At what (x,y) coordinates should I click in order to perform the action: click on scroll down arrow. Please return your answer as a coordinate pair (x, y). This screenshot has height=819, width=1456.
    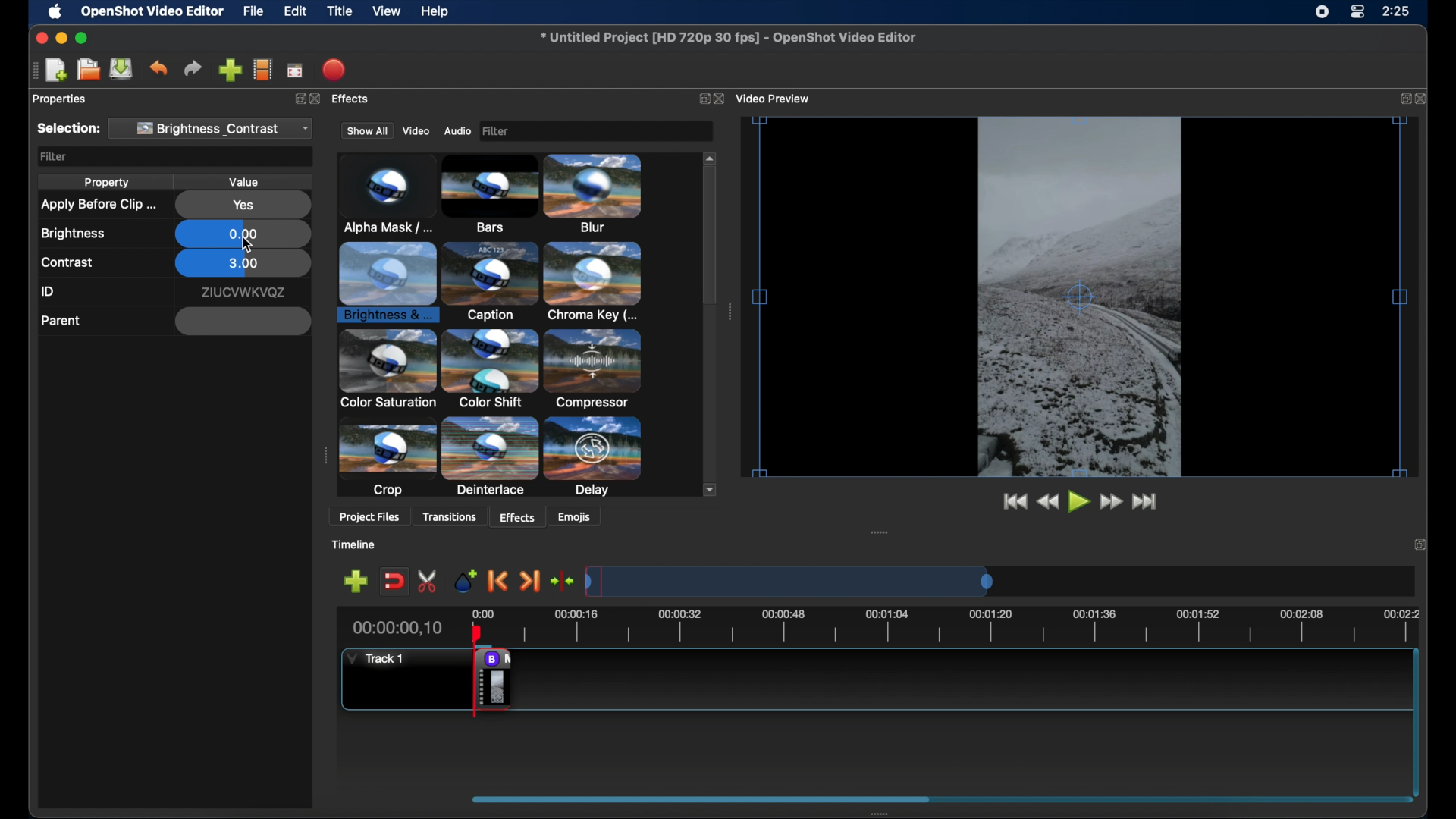
    Looking at the image, I should click on (706, 488).